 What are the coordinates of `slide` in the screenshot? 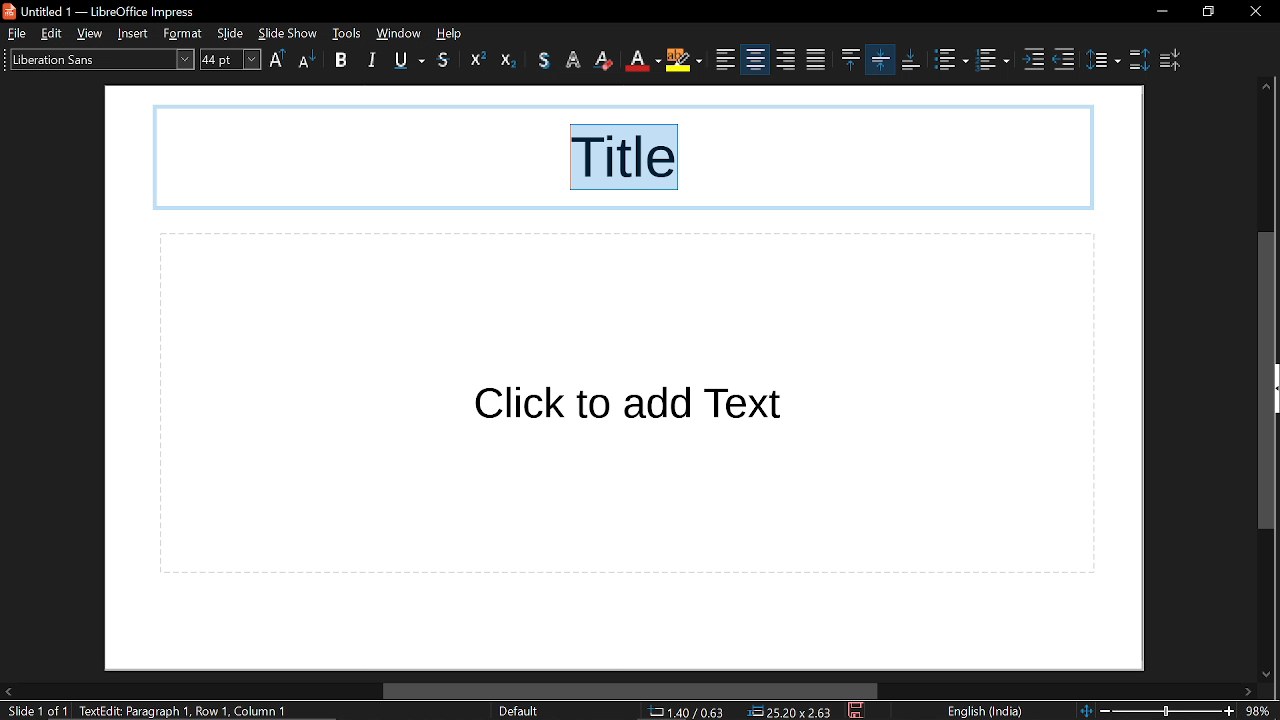 It's located at (233, 34).